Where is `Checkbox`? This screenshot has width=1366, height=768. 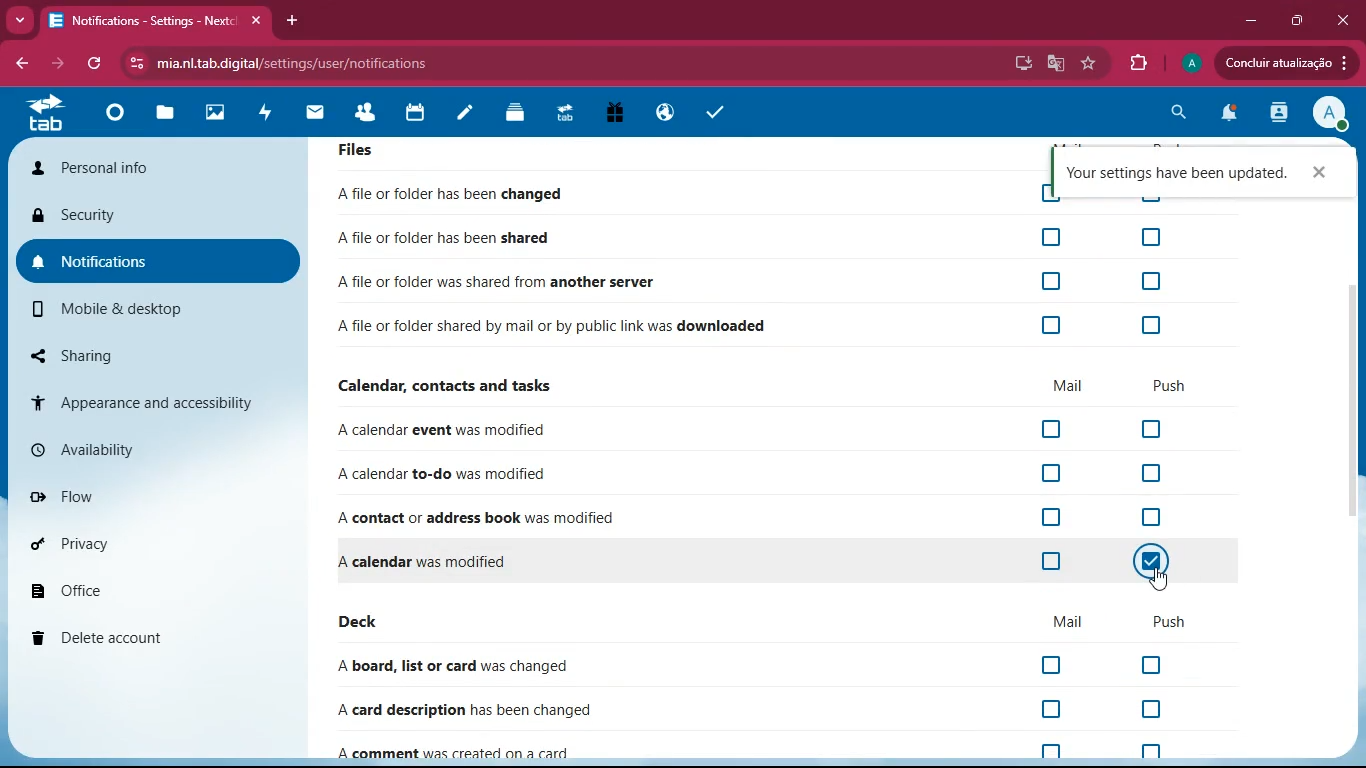
Checkbox is located at coordinates (1049, 327).